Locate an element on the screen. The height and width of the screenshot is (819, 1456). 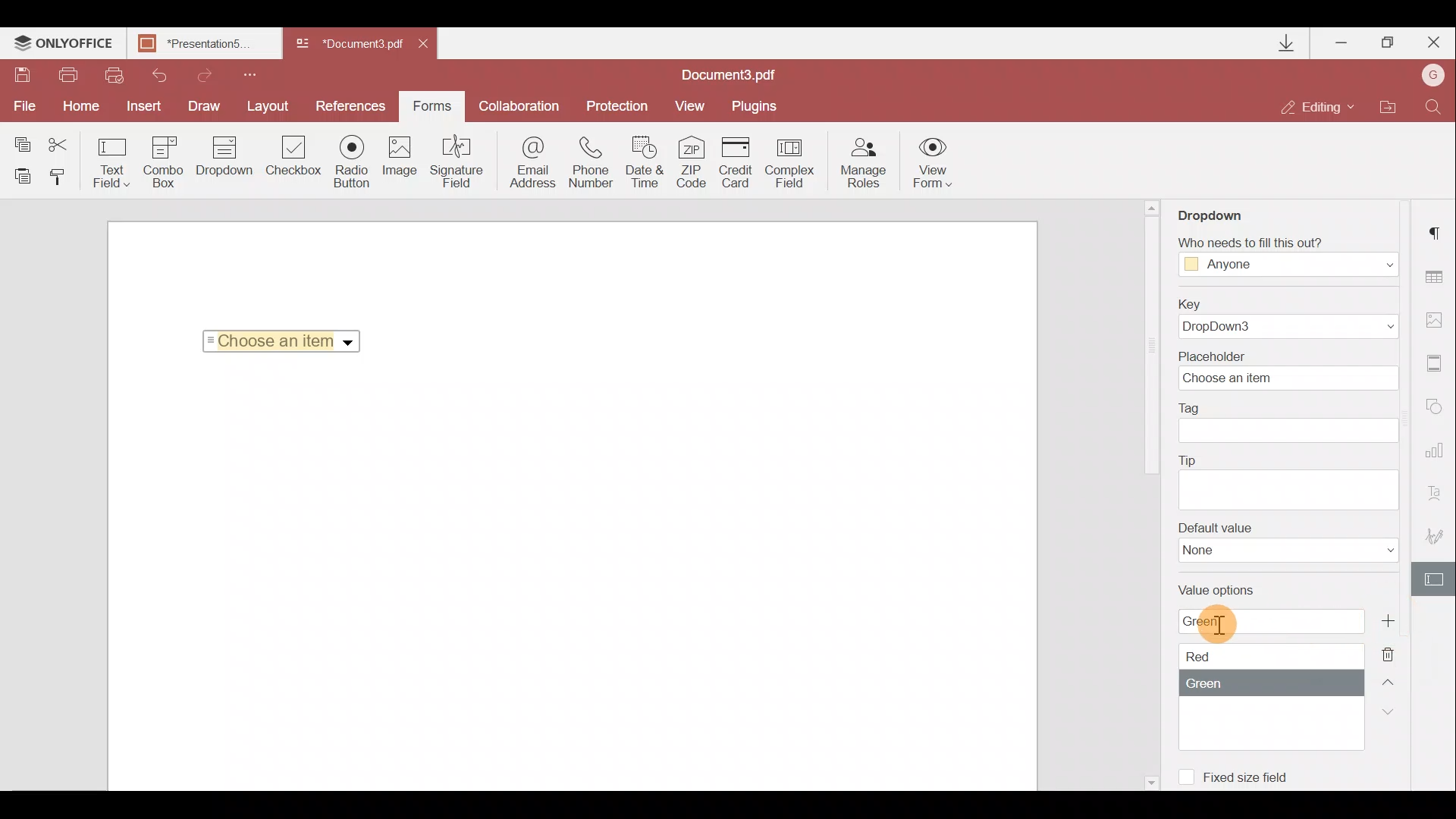
Signature settings is located at coordinates (1433, 531).